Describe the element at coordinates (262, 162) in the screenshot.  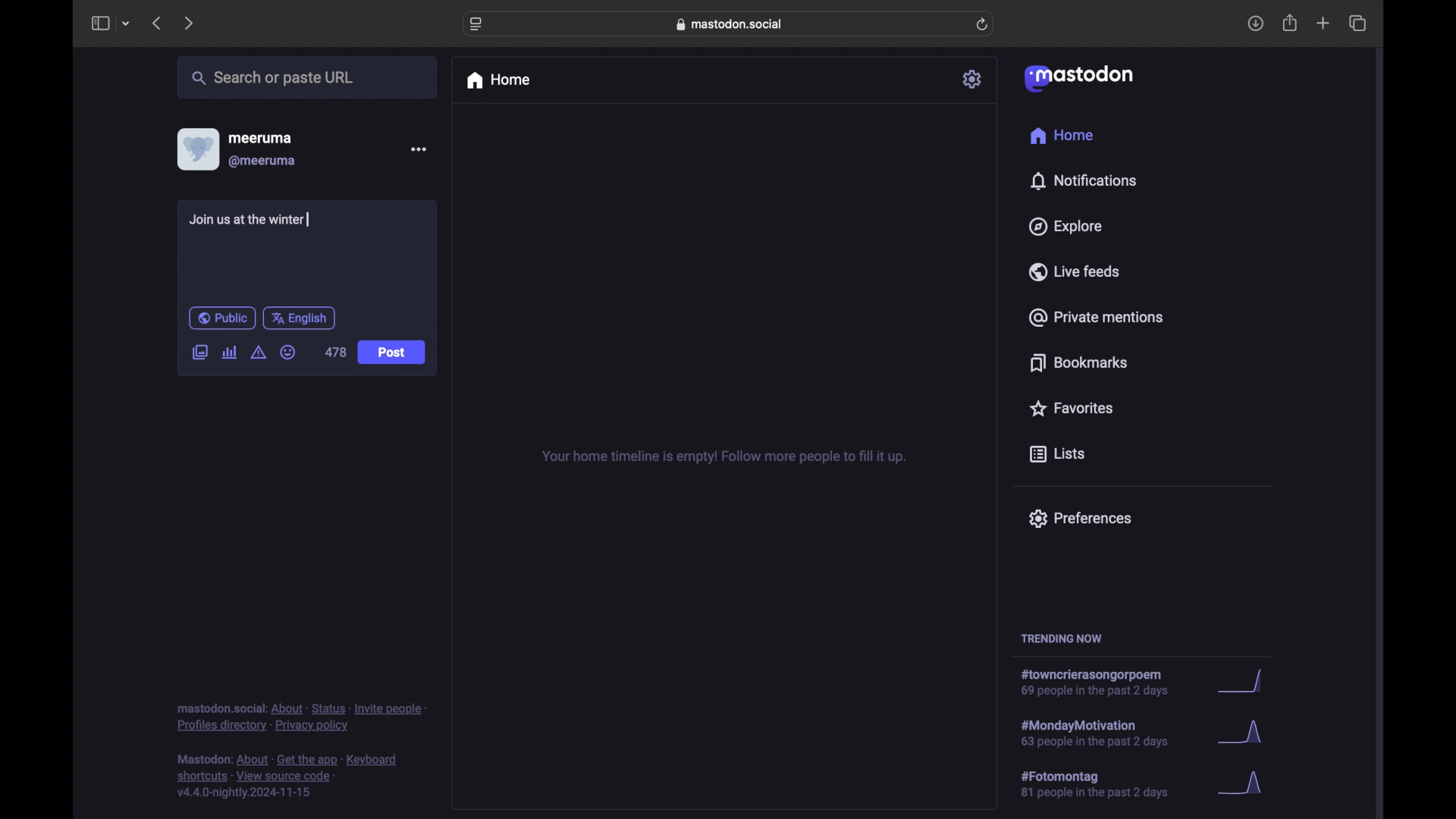
I see `@meeruma` at that location.